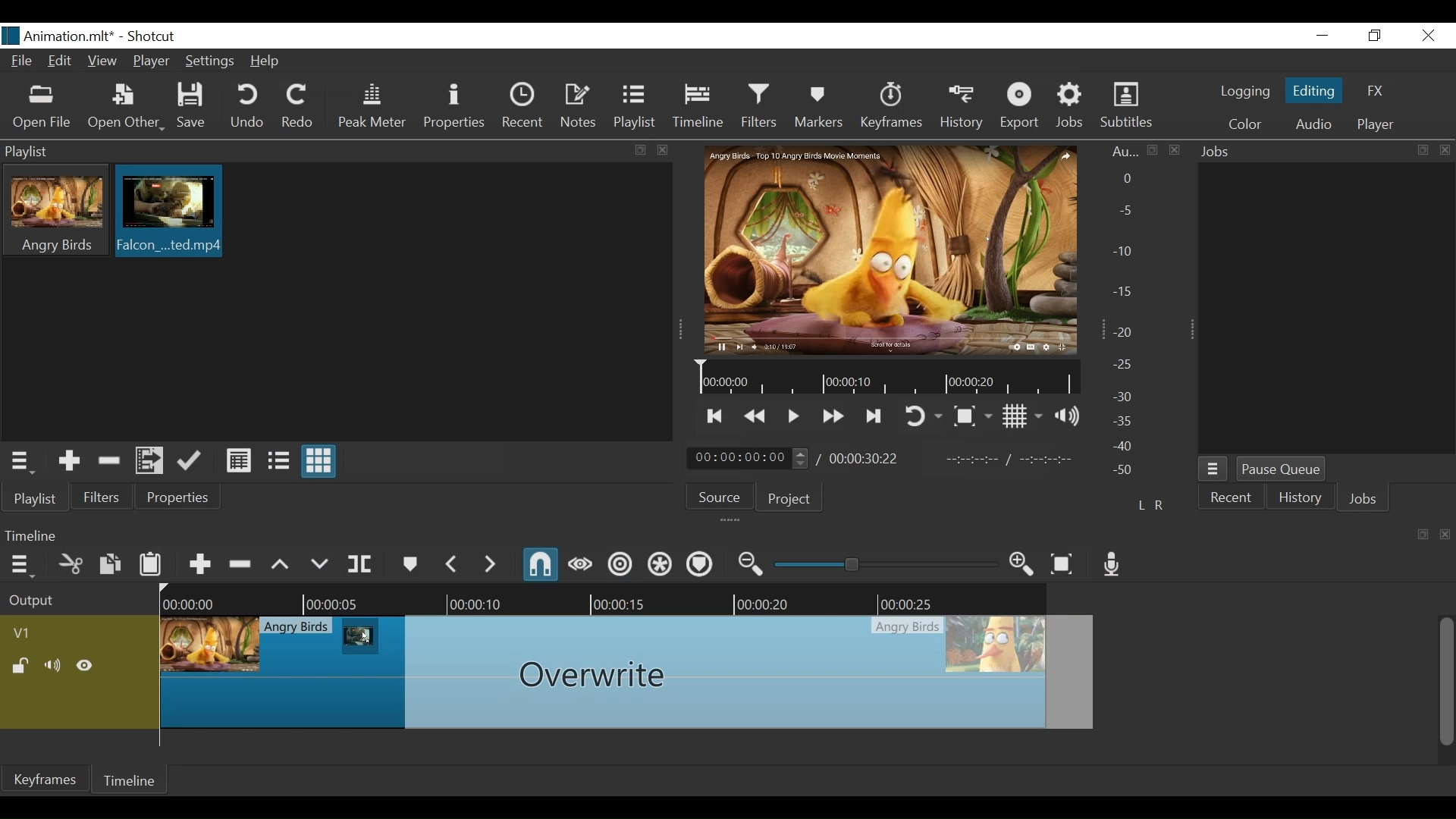 The height and width of the screenshot is (819, 1456). Describe the element at coordinates (86, 666) in the screenshot. I see `Hide` at that location.